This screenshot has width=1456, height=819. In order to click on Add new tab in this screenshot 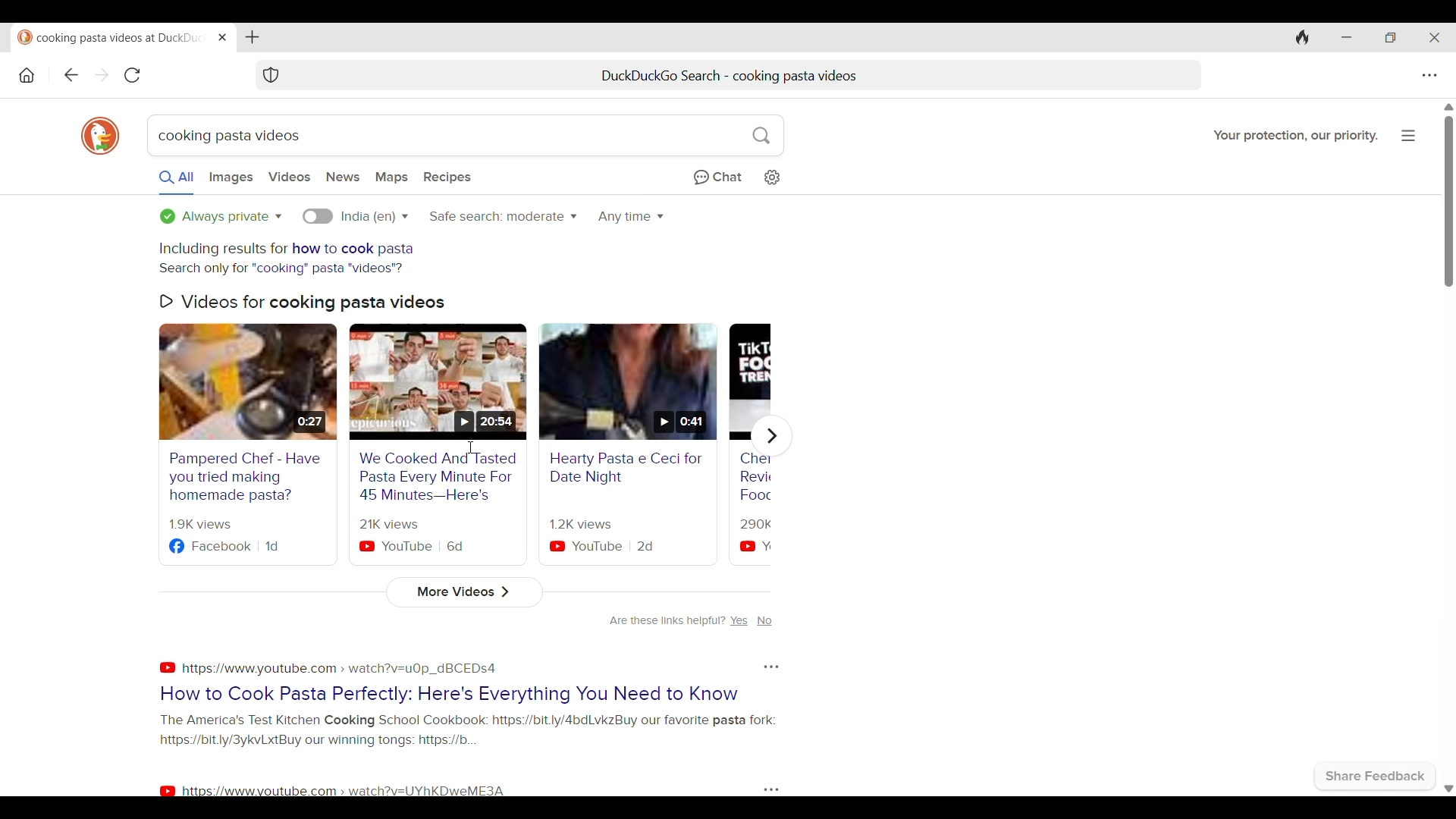, I will do `click(252, 37)`.